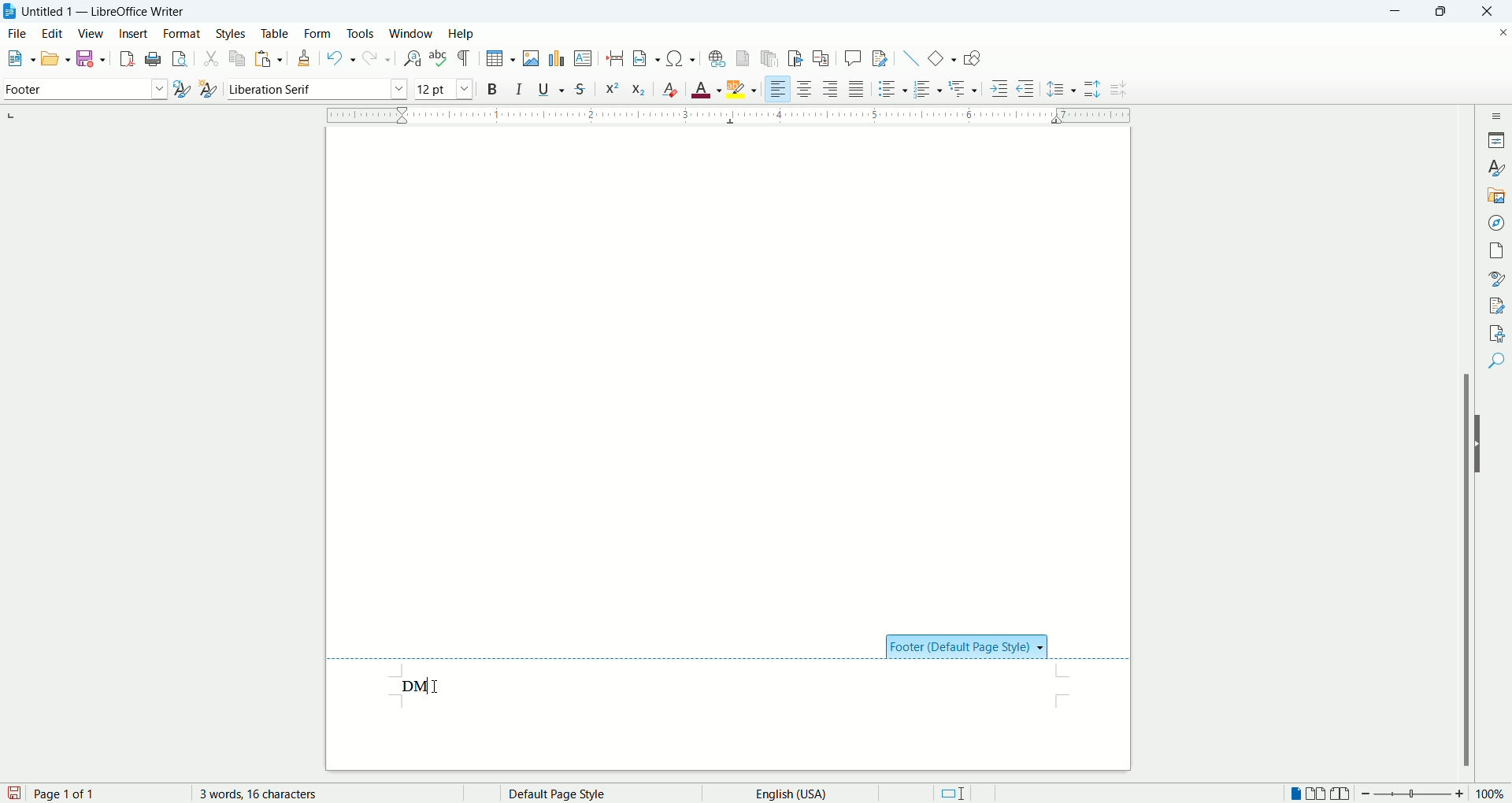 The width and height of the screenshot is (1512, 803). What do you see at coordinates (617, 58) in the screenshot?
I see `insert page break` at bounding box center [617, 58].